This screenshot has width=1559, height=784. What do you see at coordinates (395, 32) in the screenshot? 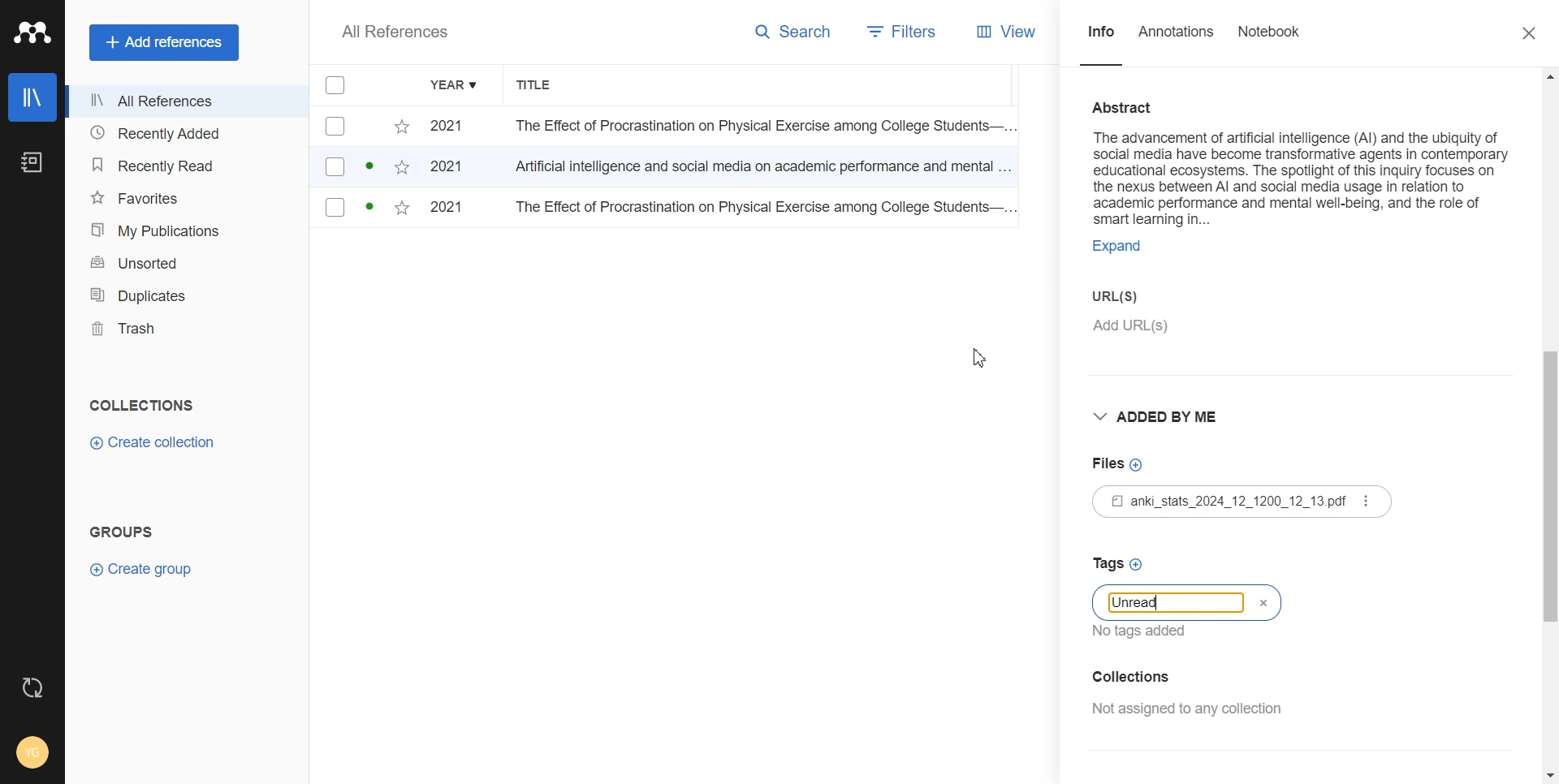
I see `All References` at bounding box center [395, 32].